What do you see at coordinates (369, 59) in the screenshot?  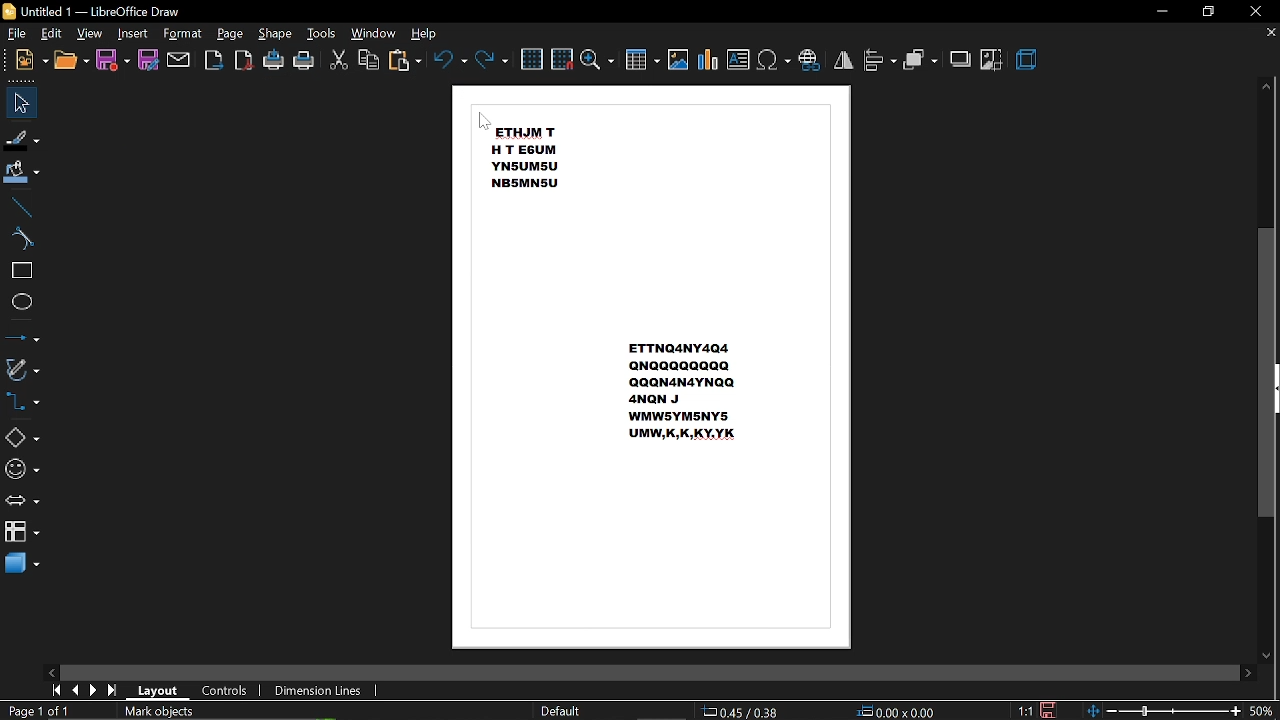 I see `copy ` at bounding box center [369, 59].